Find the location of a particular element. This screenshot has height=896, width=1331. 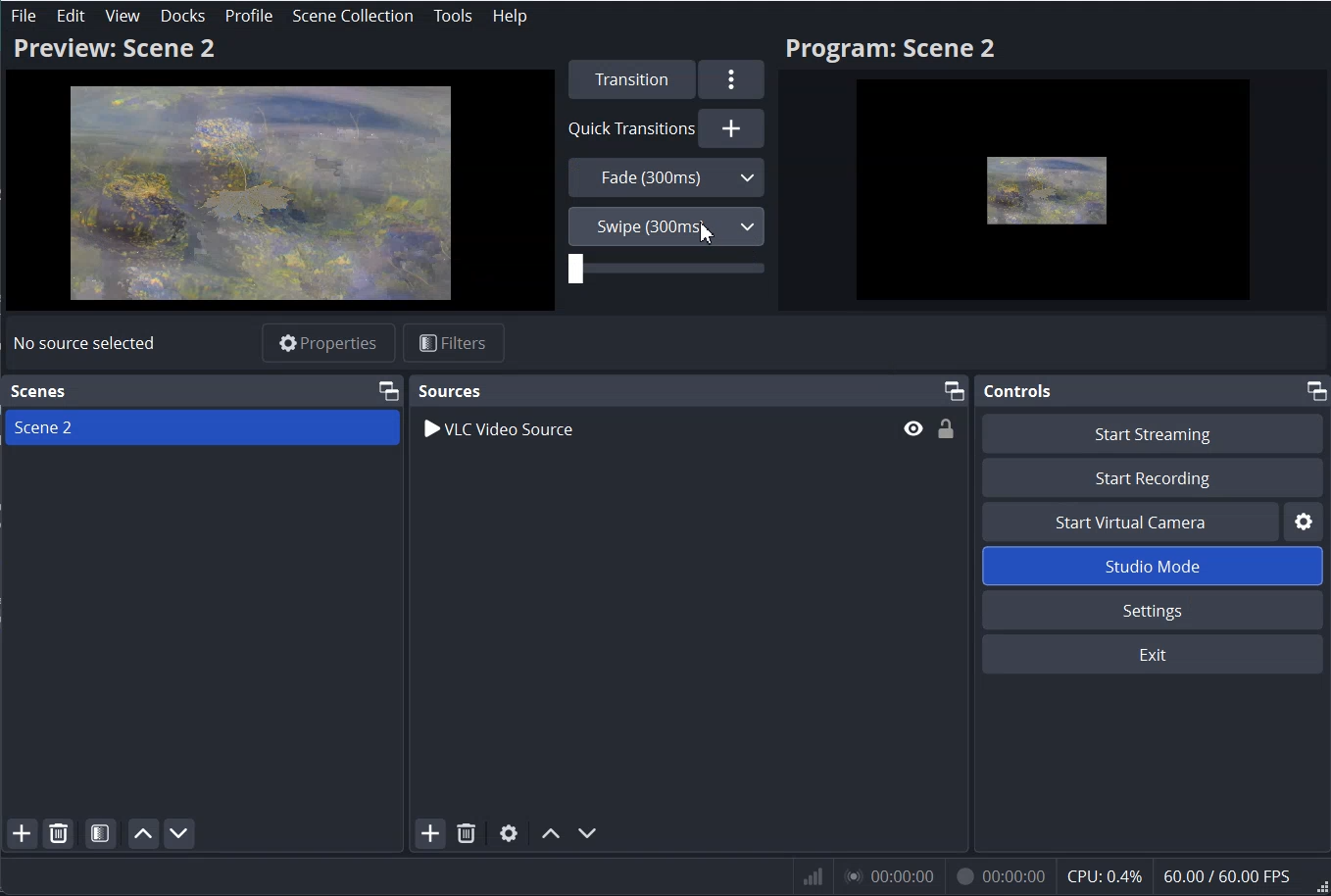

Scene is located at coordinates (41, 391).